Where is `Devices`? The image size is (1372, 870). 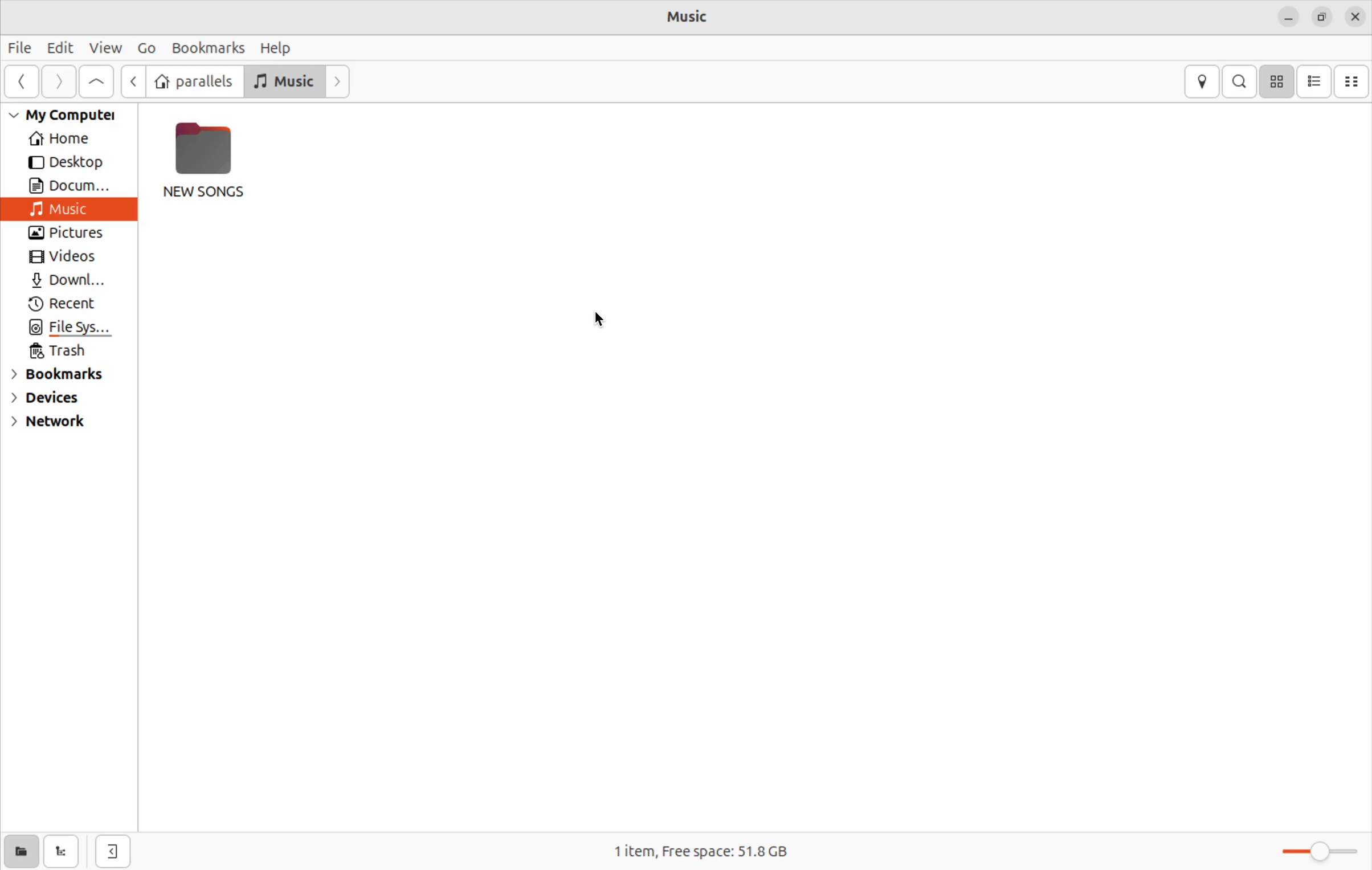 Devices is located at coordinates (52, 401).